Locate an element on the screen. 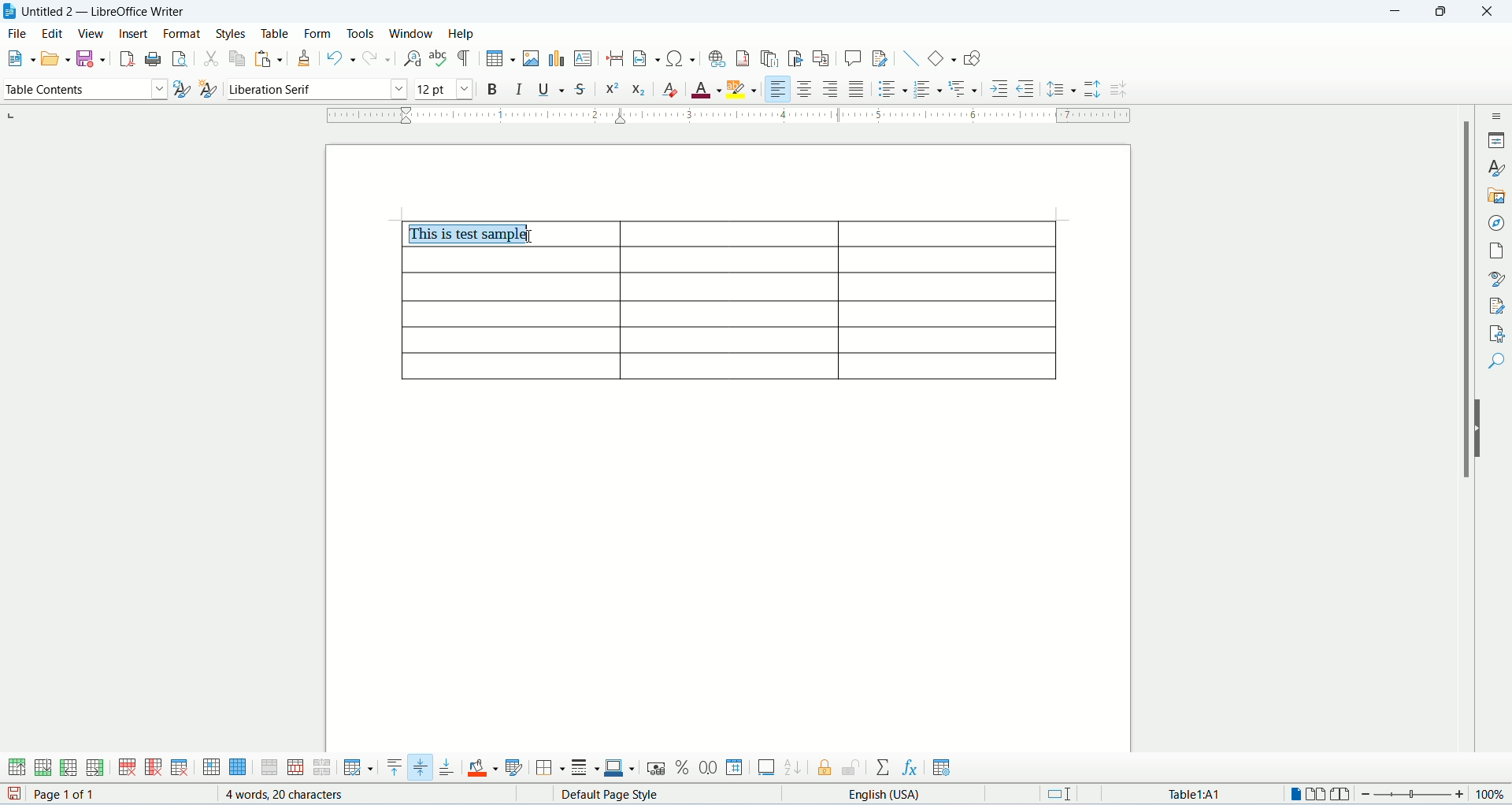 Image resolution: width=1512 pixels, height=805 pixels. decrease indent is located at coordinates (1026, 89).